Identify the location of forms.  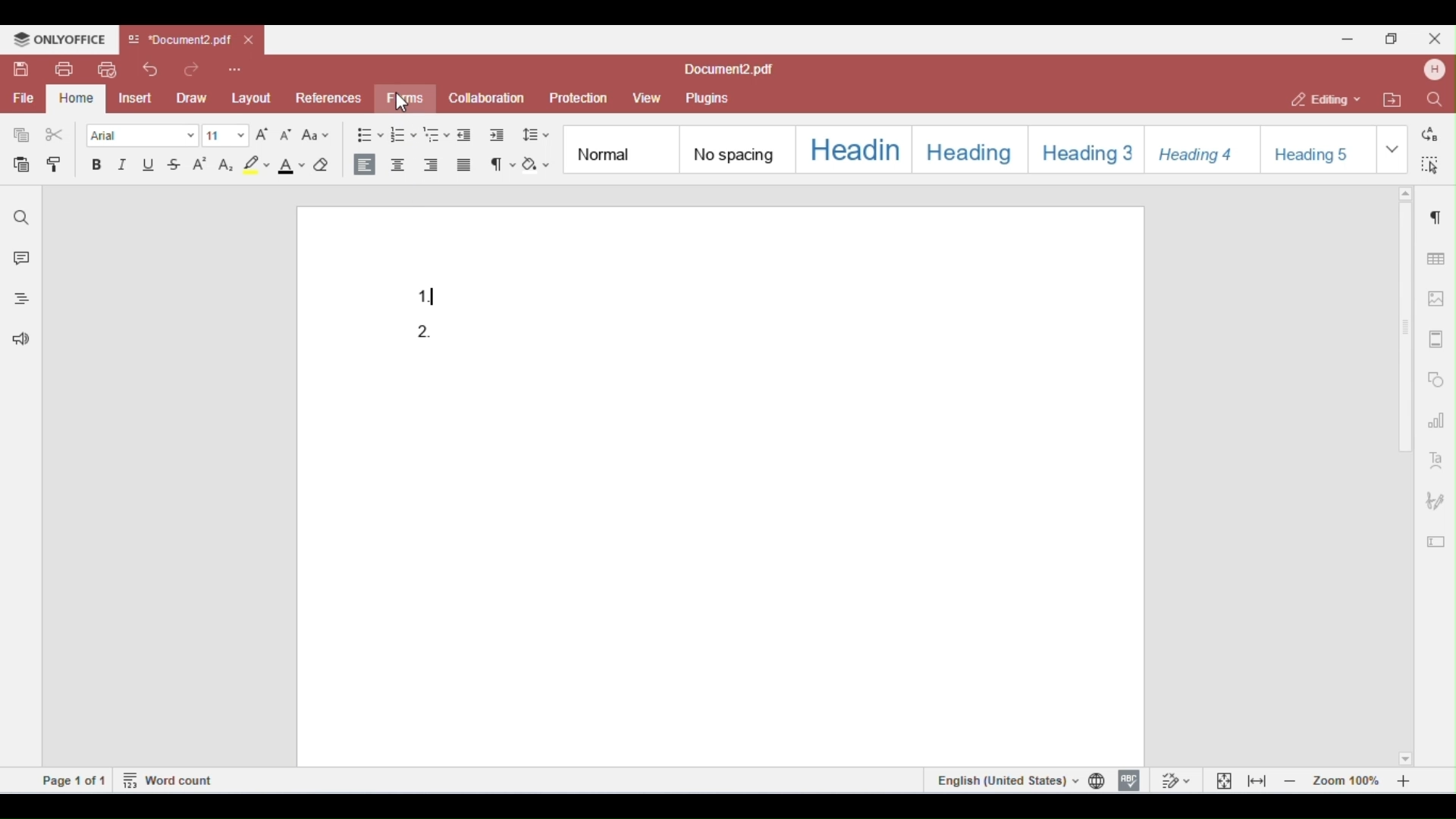
(402, 99).